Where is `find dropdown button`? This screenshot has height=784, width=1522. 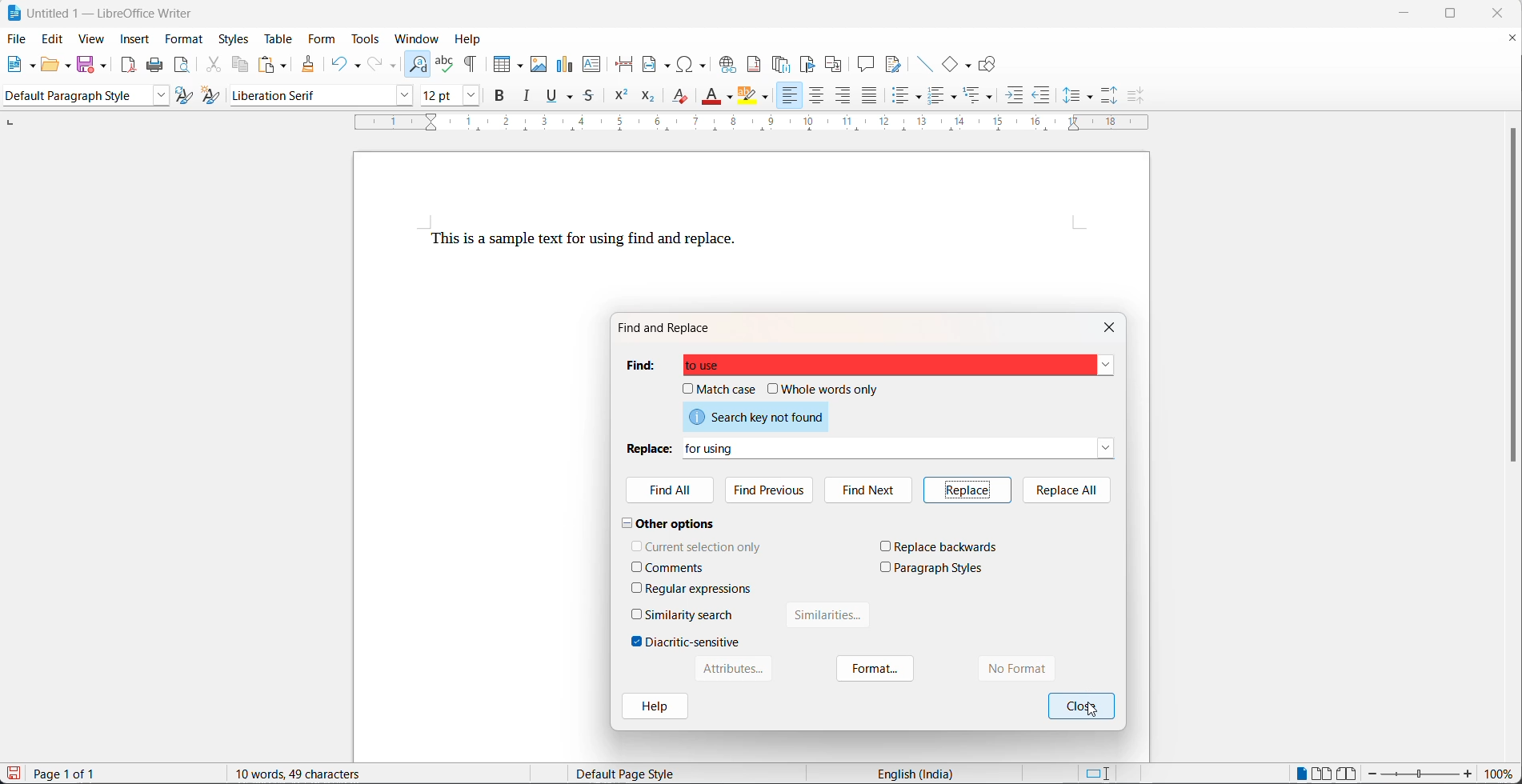
find dropdown button is located at coordinates (1110, 365).